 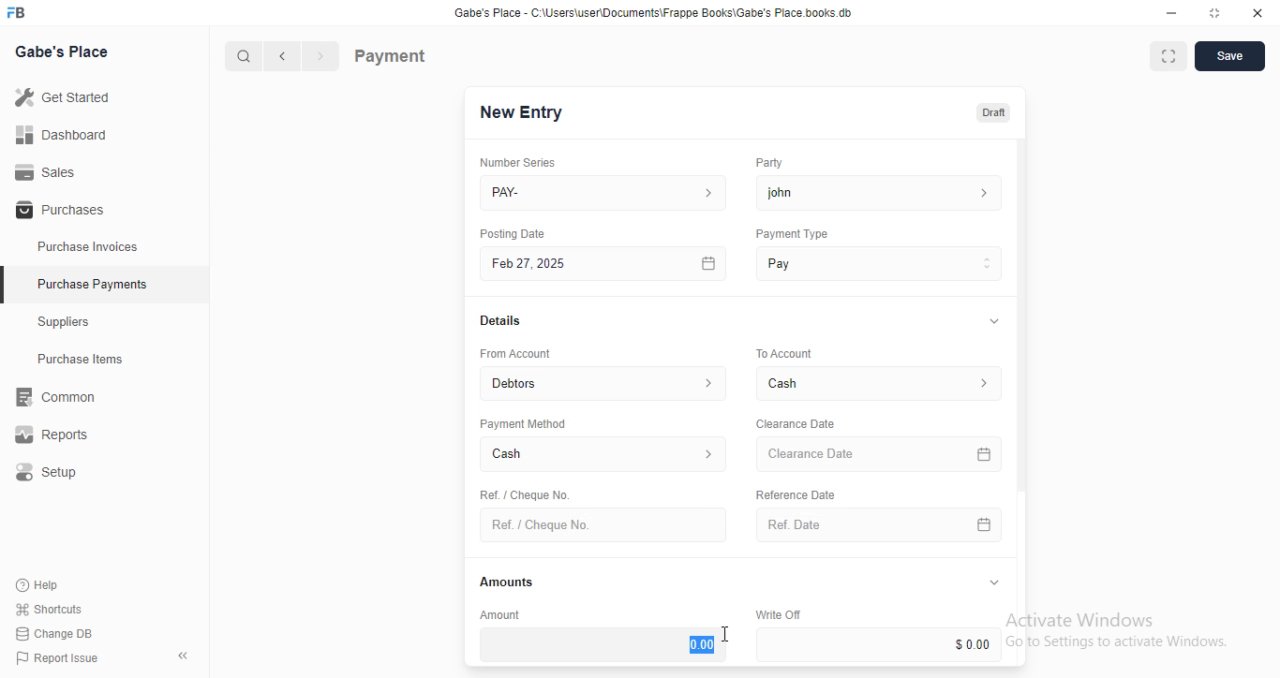 I want to click on Write Off, so click(x=776, y=614).